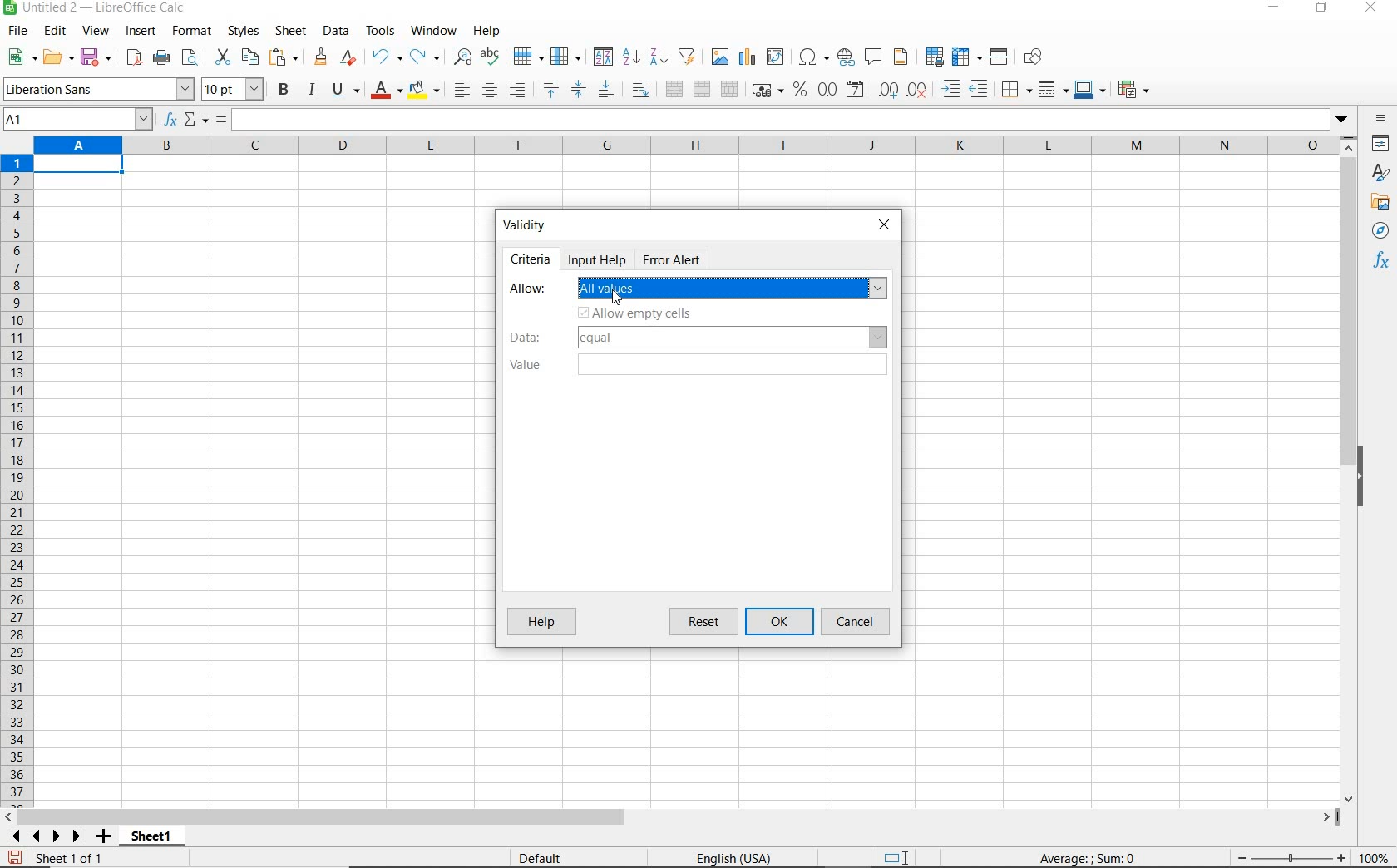  What do you see at coordinates (543, 859) in the screenshot?
I see `default` at bounding box center [543, 859].